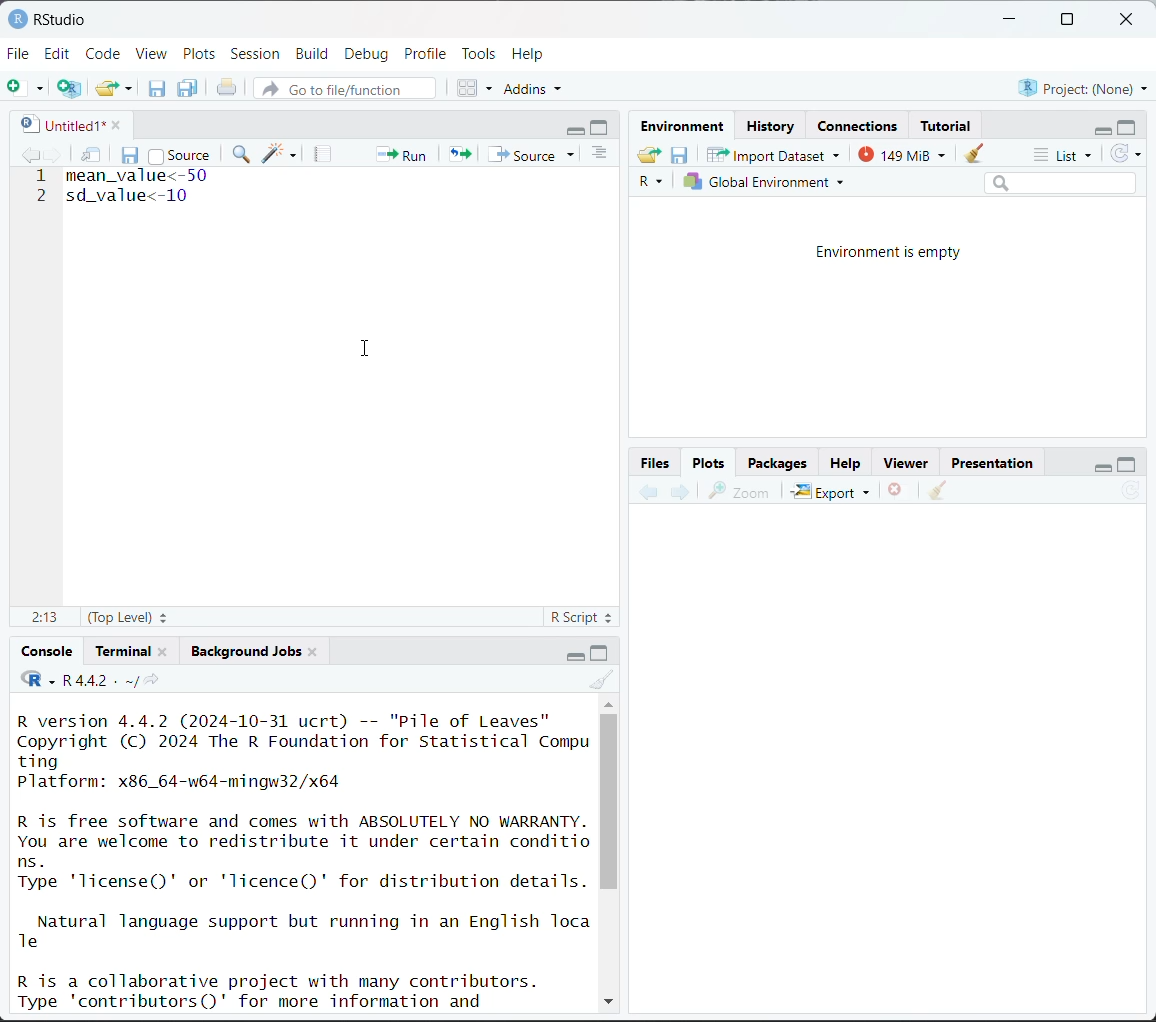 The image size is (1156, 1022). Describe the element at coordinates (601, 652) in the screenshot. I see `maximize` at that location.